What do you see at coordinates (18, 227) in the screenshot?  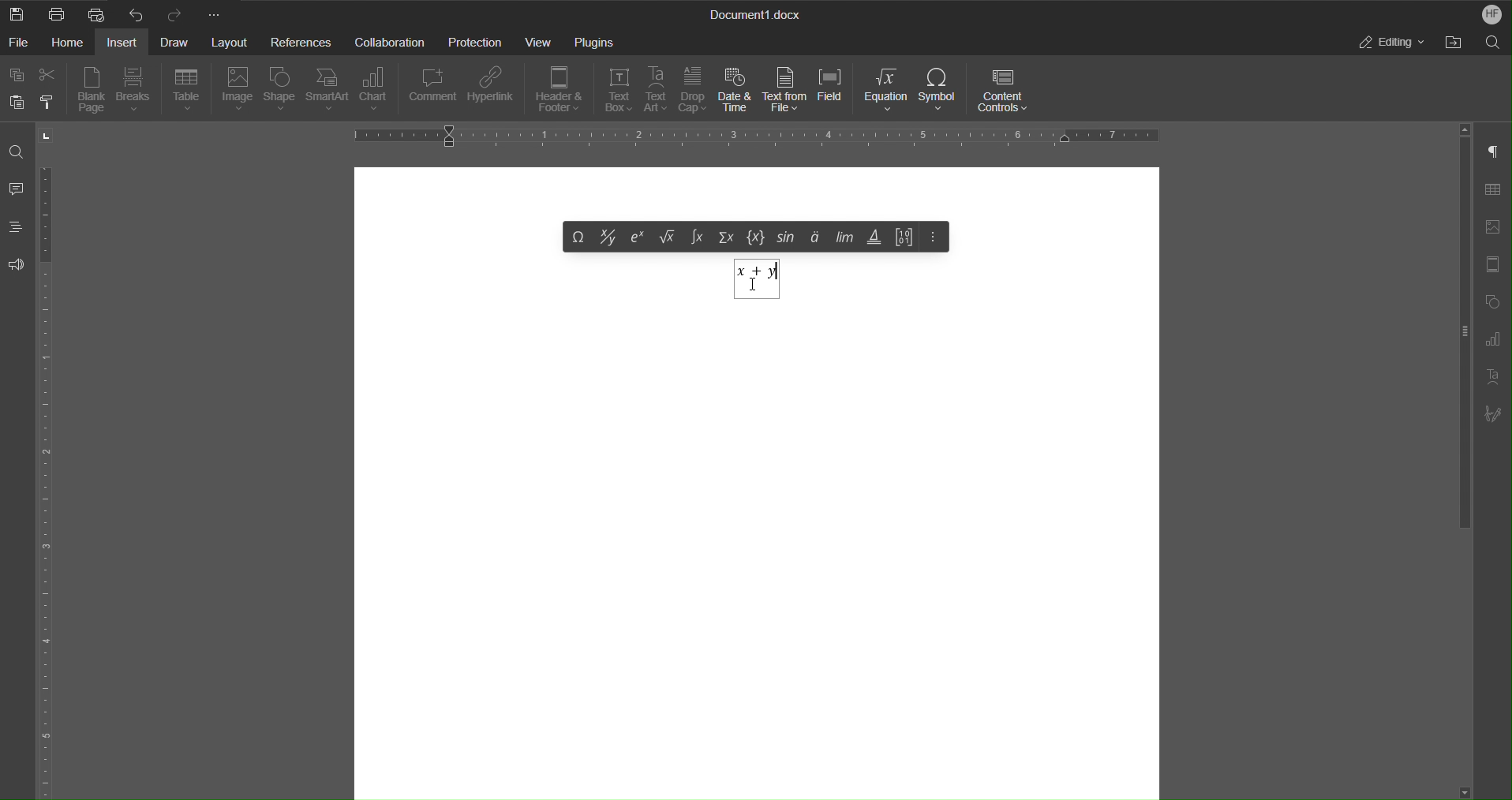 I see `Headings` at bounding box center [18, 227].